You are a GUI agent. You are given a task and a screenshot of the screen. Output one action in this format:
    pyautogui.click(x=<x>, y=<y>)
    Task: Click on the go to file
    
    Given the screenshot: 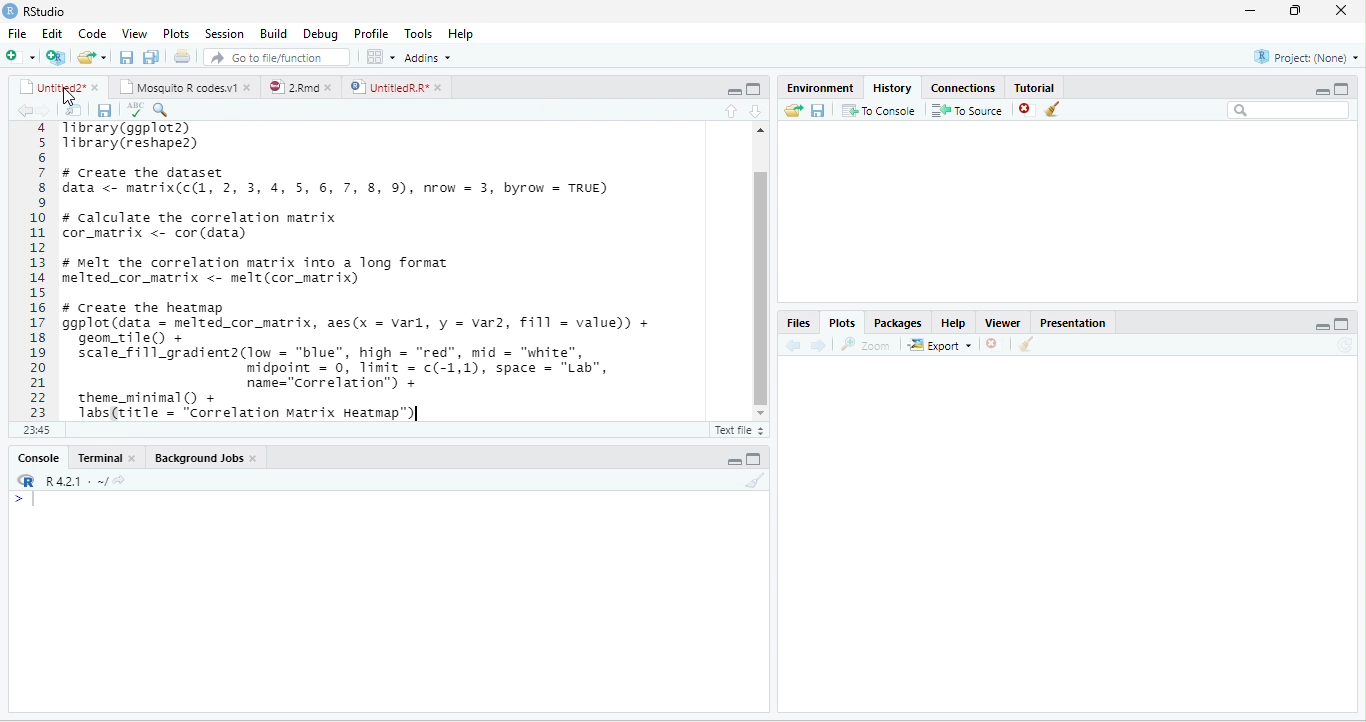 What is the action you would take?
    pyautogui.click(x=278, y=56)
    